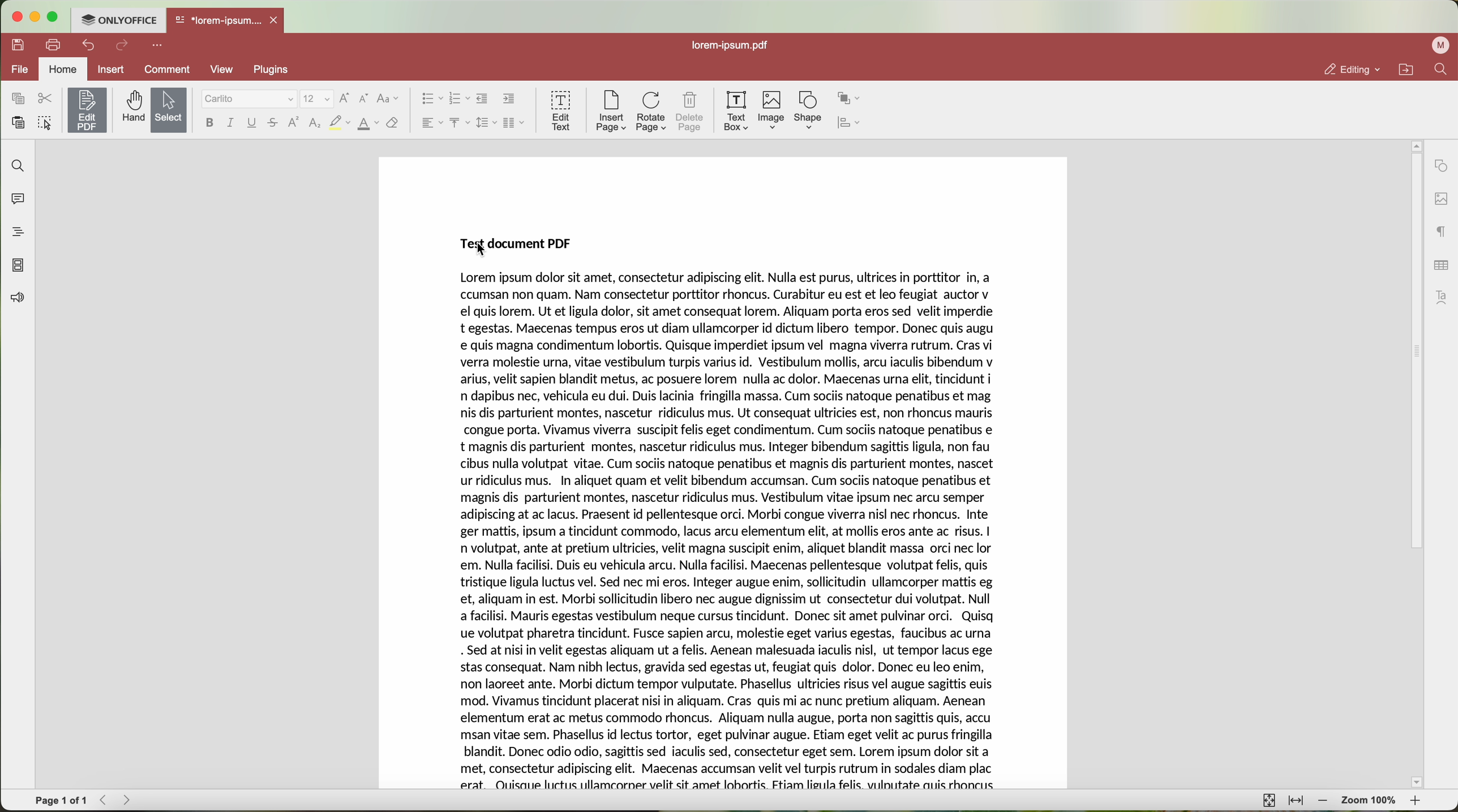 Image resolution: width=1458 pixels, height=812 pixels. Describe the element at coordinates (111, 69) in the screenshot. I see `Insert` at that location.